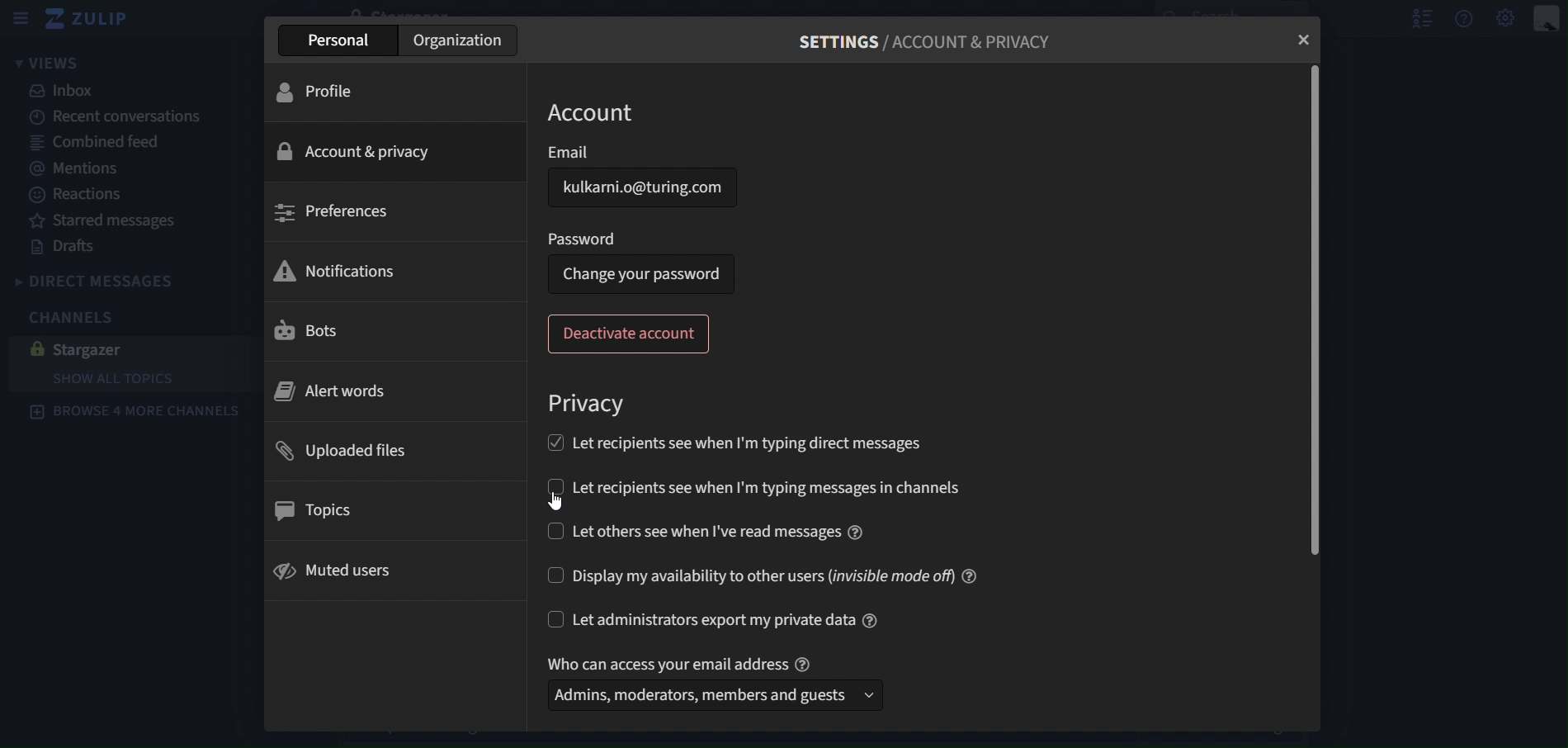 This screenshot has height=748, width=1568. I want to click on Email, so click(570, 154).